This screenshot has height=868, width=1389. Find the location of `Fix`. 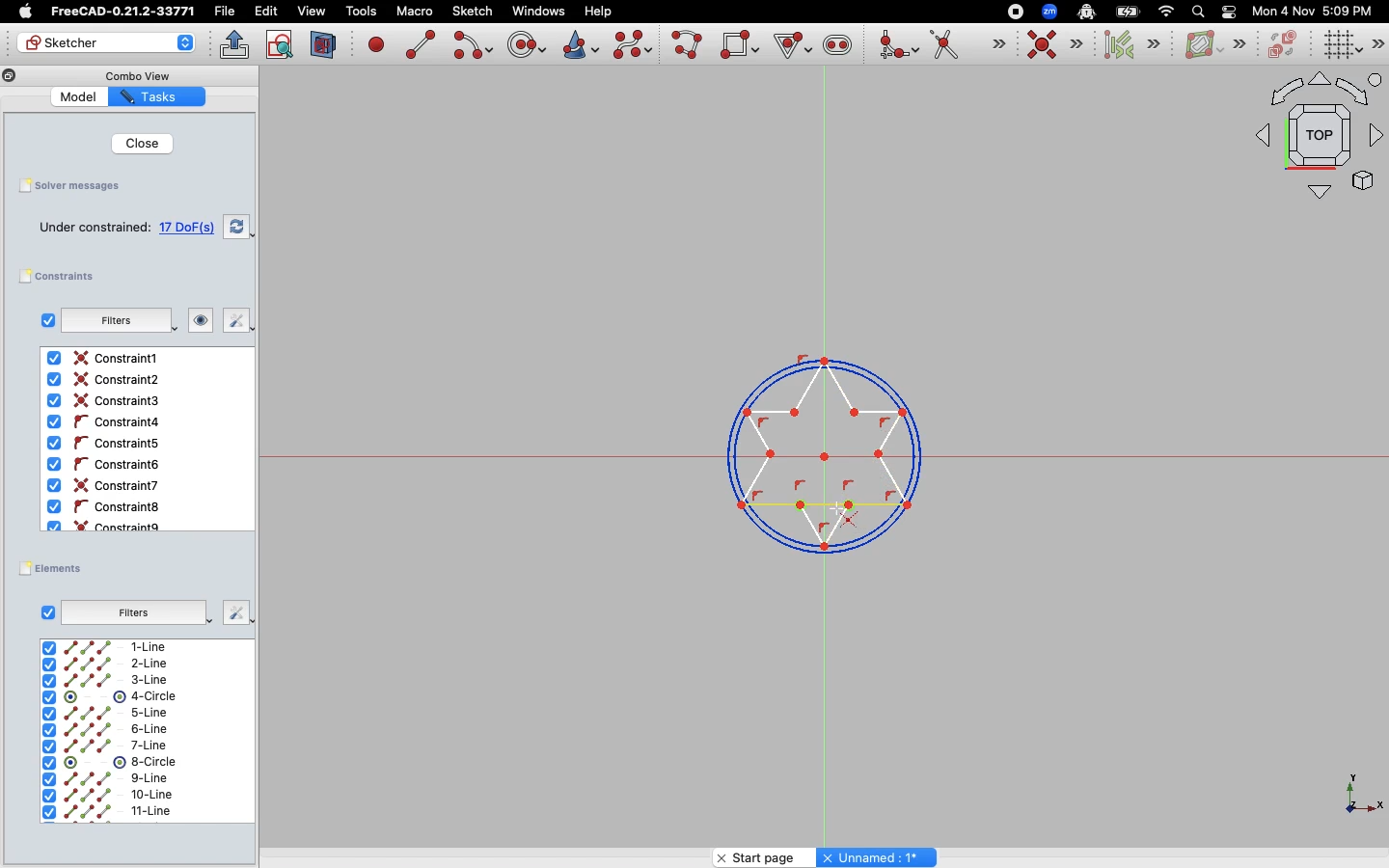

Fix is located at coordinates (231, 611).